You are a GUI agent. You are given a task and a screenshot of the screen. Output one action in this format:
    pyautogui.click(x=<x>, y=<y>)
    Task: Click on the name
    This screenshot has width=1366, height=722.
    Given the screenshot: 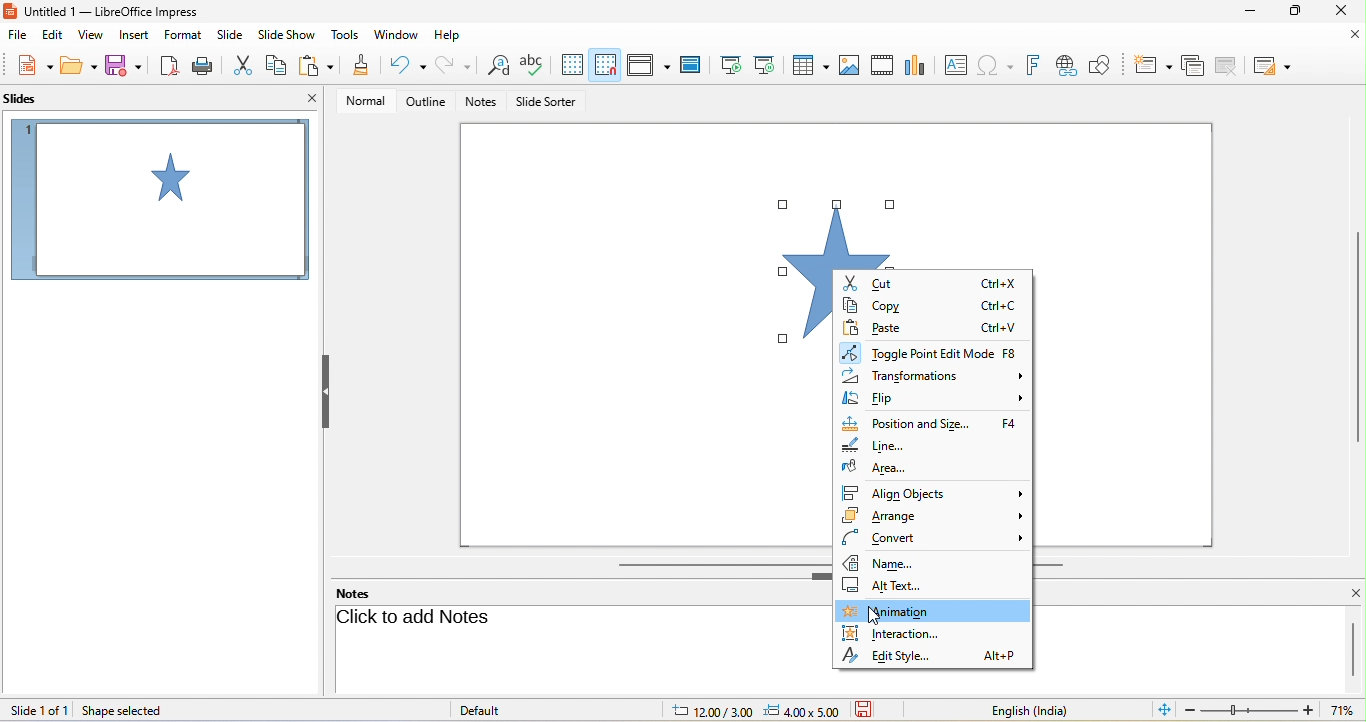 What is the action you would take?
    pyautogui.click(x=899, y=564)
    